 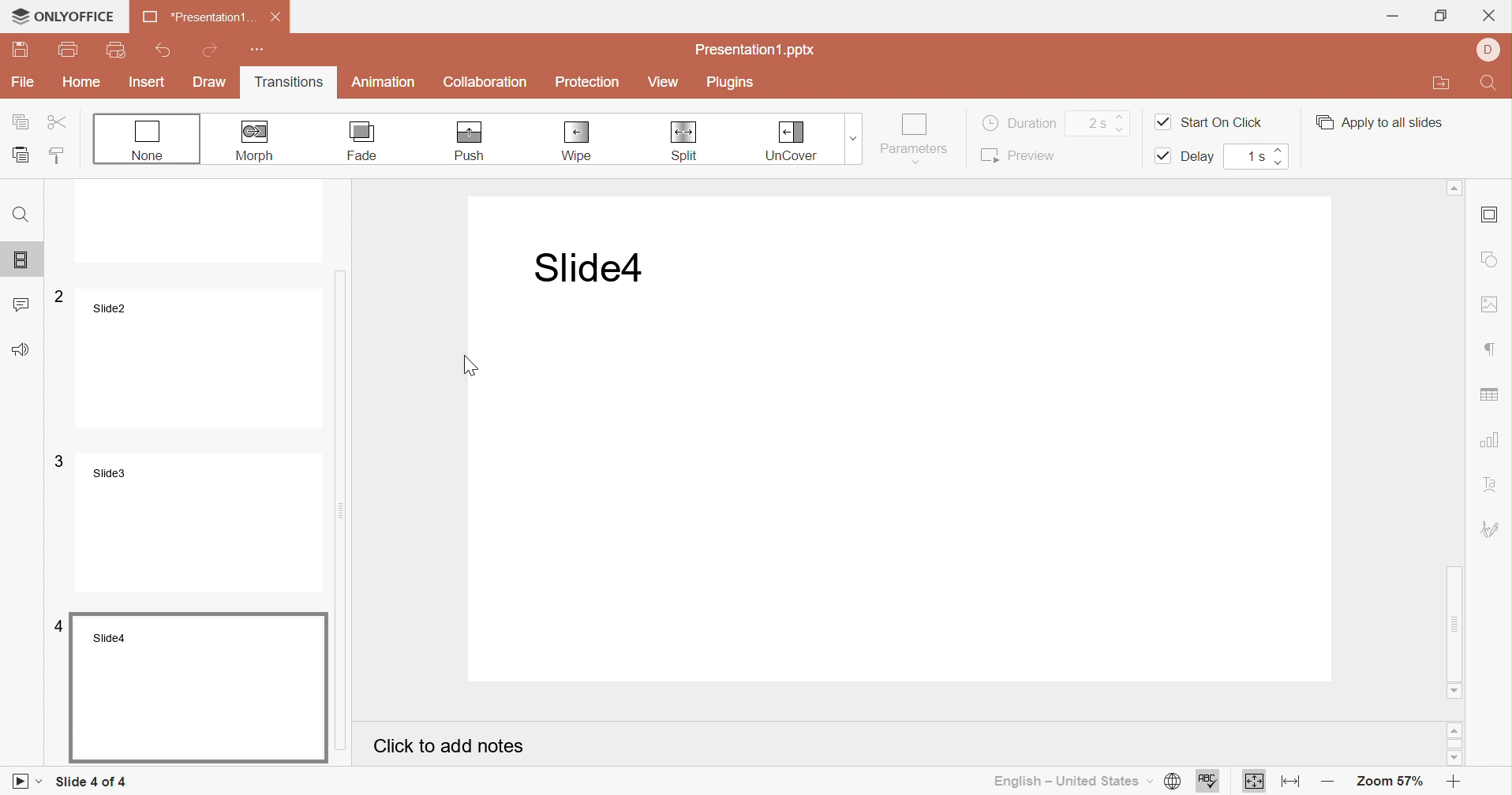 I want to click on Scroll up, so click(x=1456, y=731).